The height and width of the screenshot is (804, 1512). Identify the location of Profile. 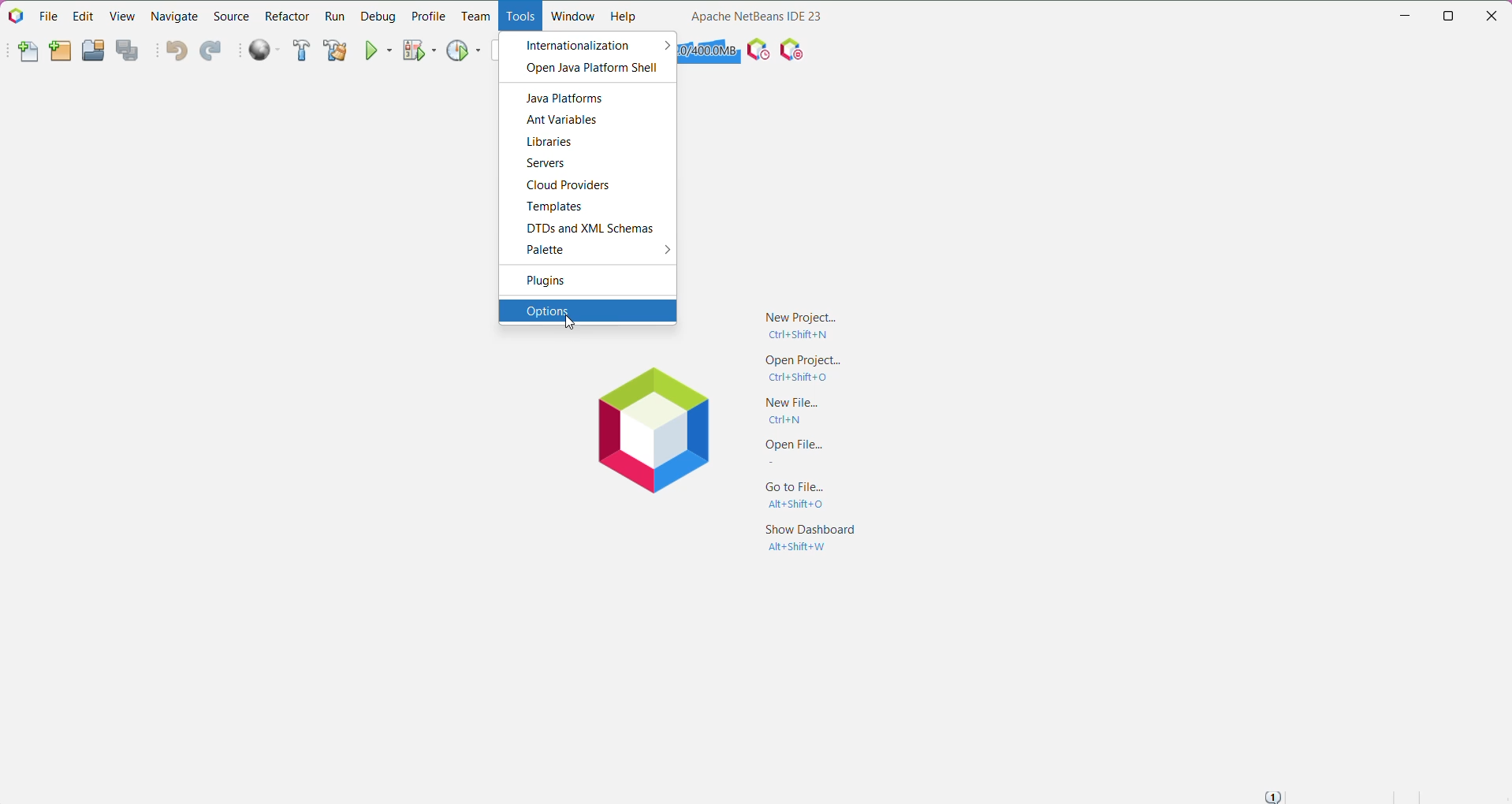
(429, 16).